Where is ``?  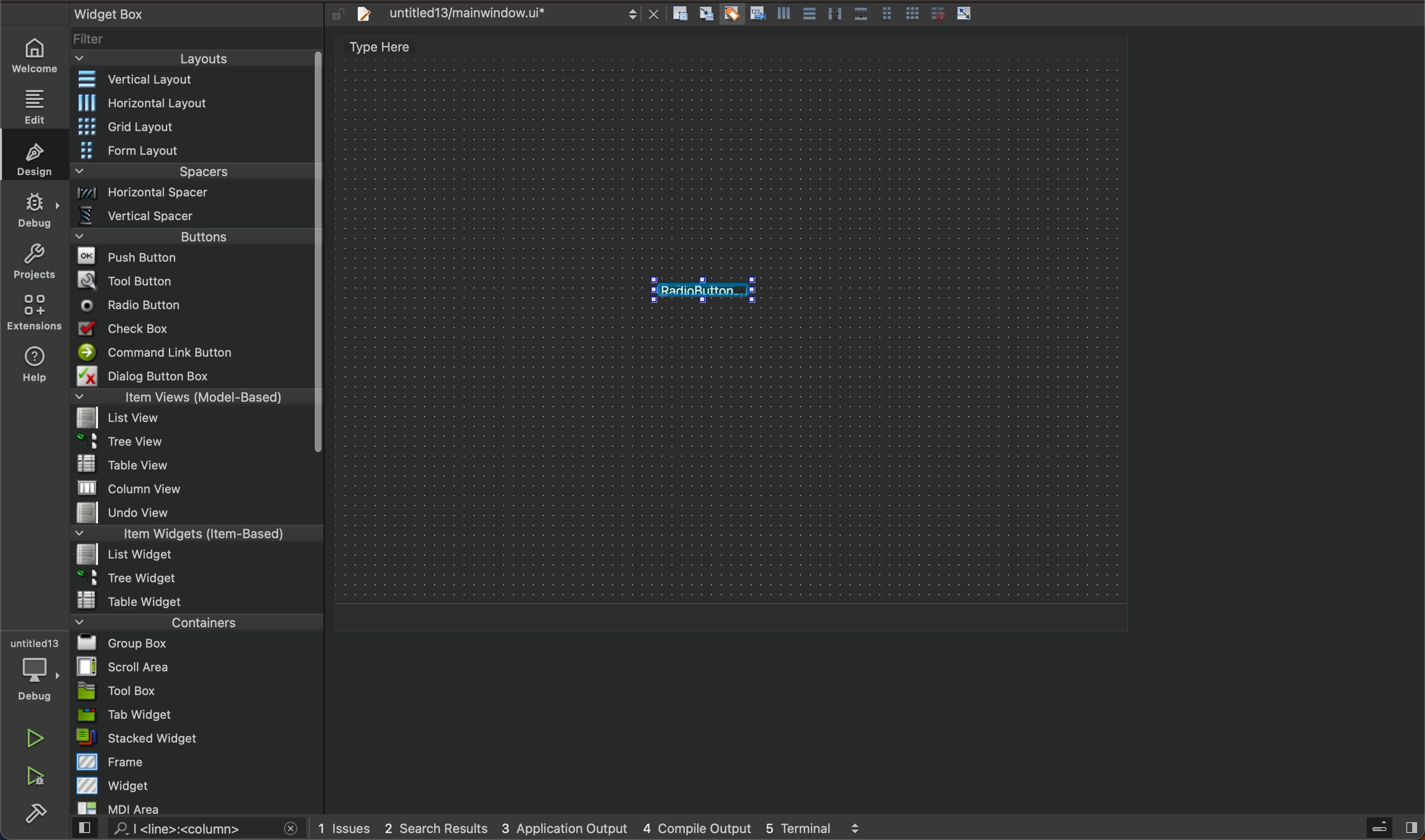
 is located at coordinates (194, 152).